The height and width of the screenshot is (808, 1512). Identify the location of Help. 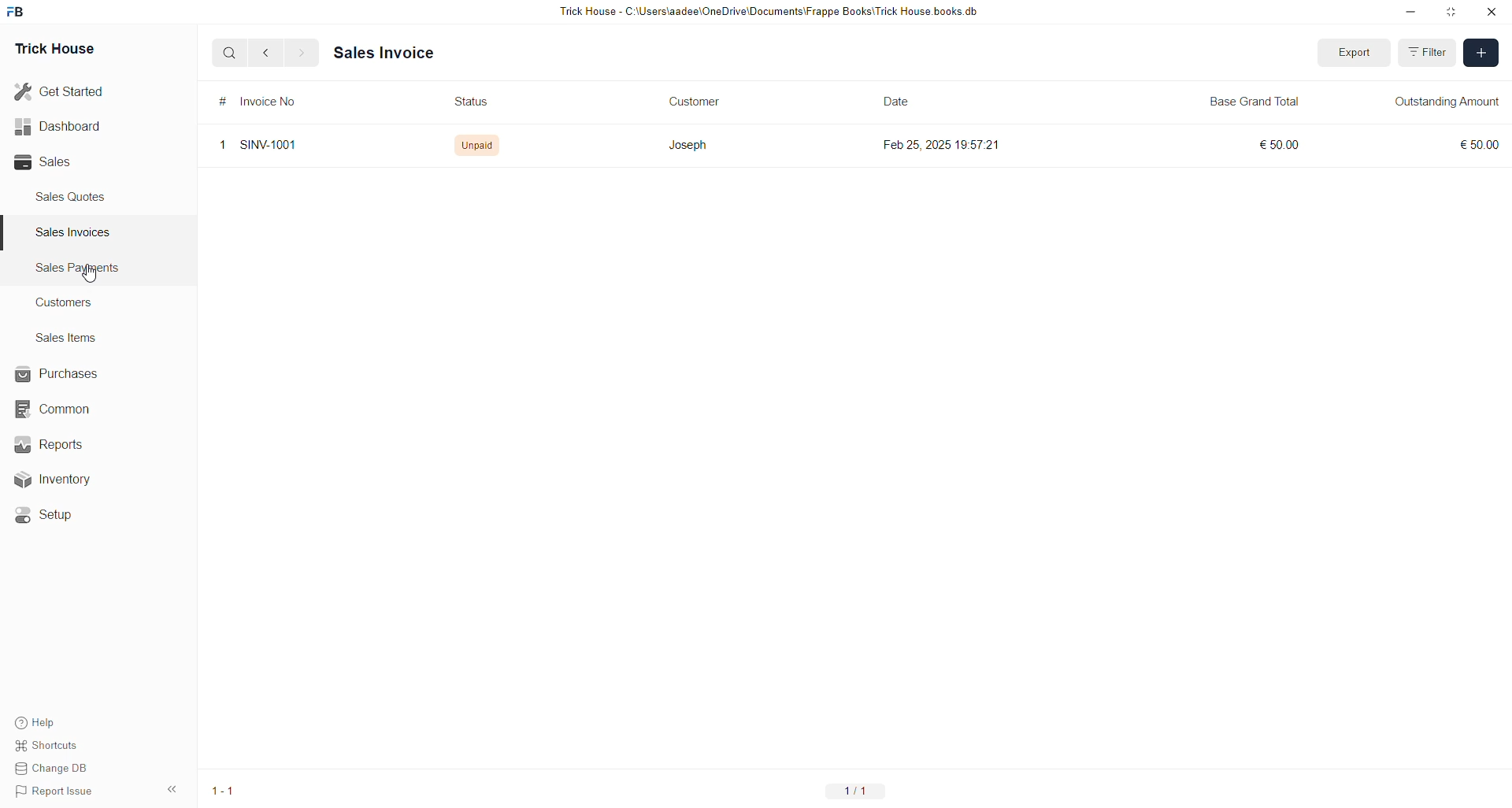
(38, 718).